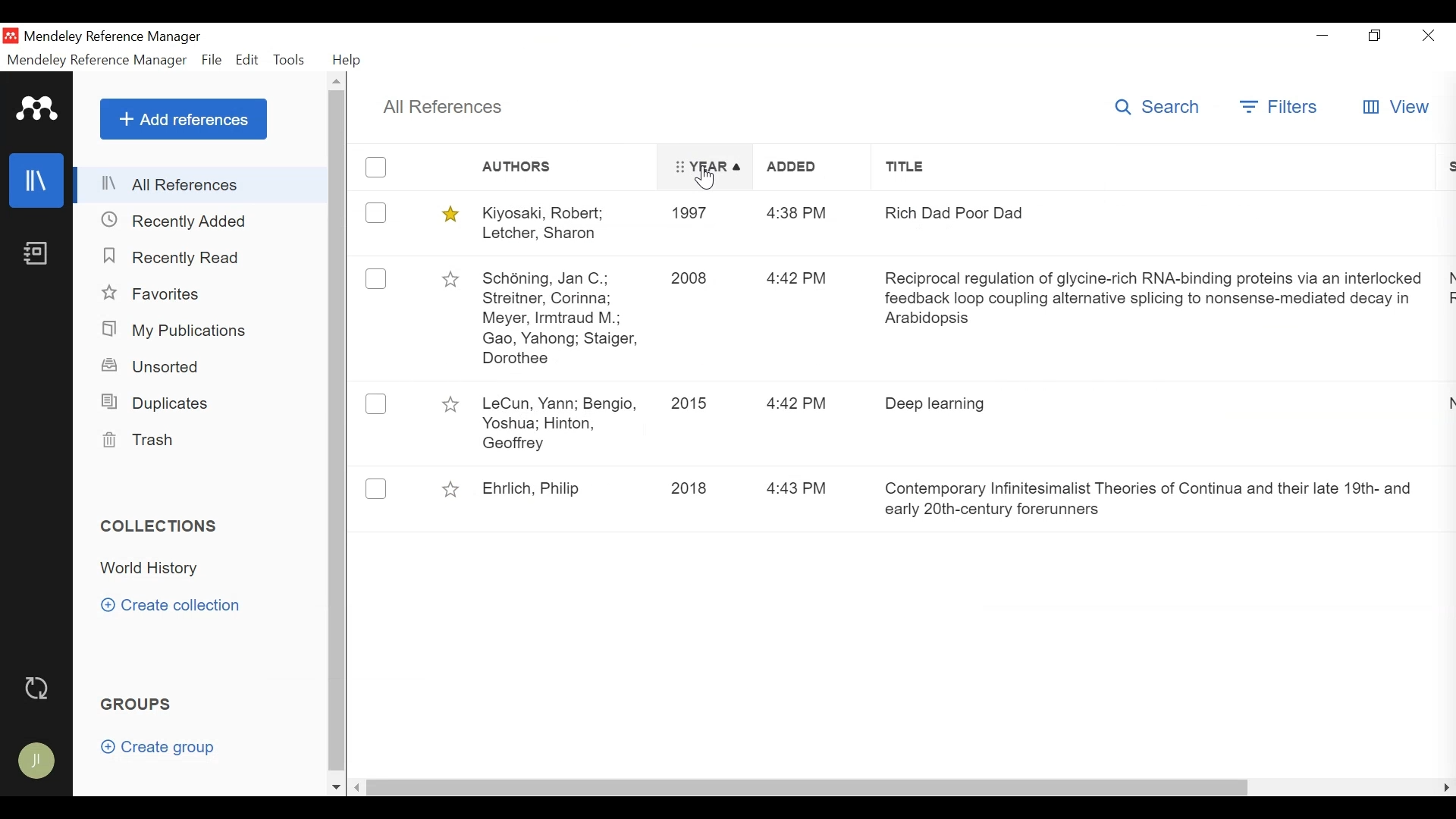 The width and height of the screenshot is (1456, 819). I want to click on (un)Select, so click(375, 214).